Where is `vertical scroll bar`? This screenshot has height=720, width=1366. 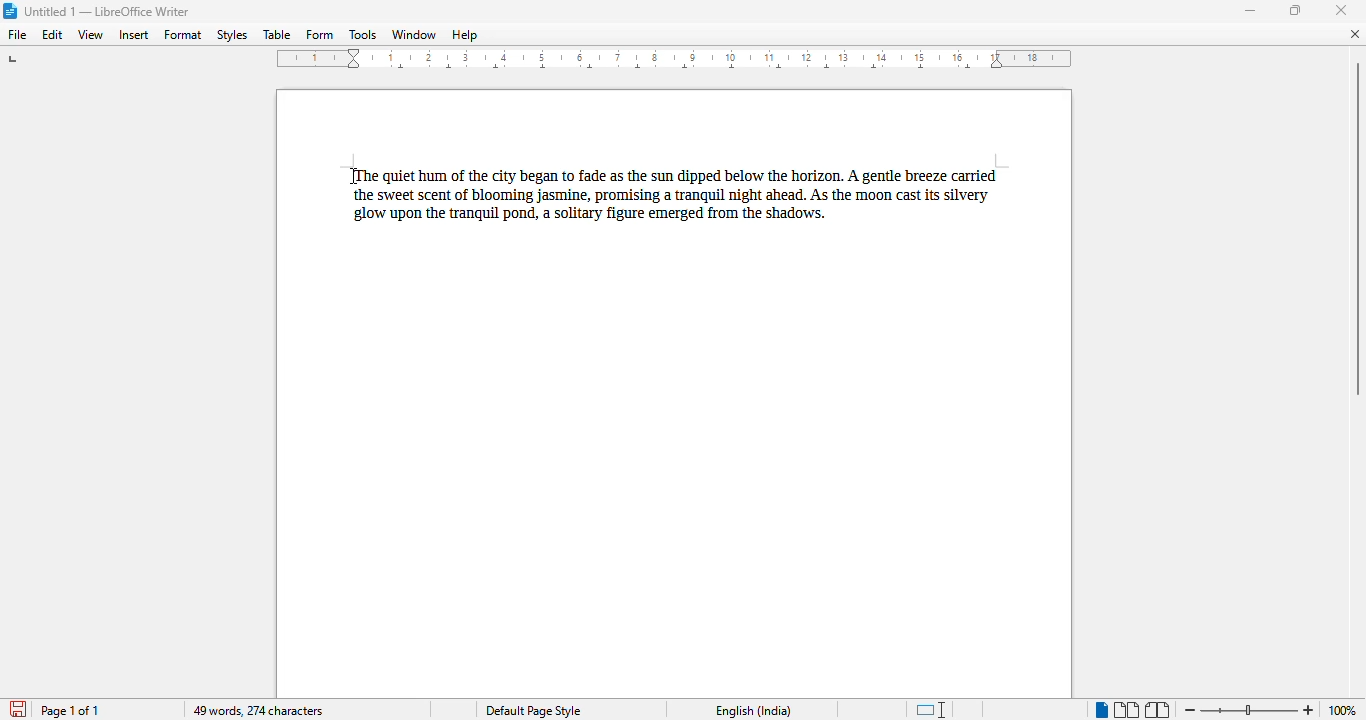 vertical scroll bar is located at coordinates (1357, 228).